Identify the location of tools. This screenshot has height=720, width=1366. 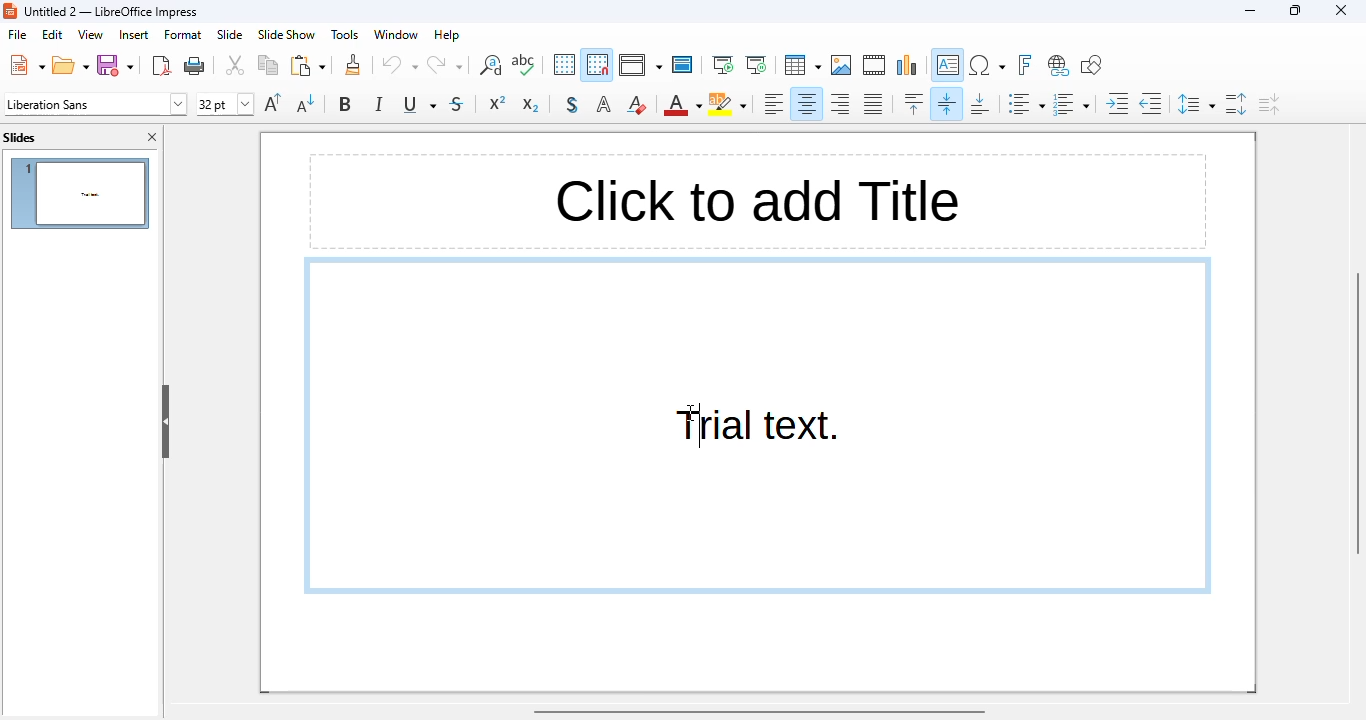
(344, 34).